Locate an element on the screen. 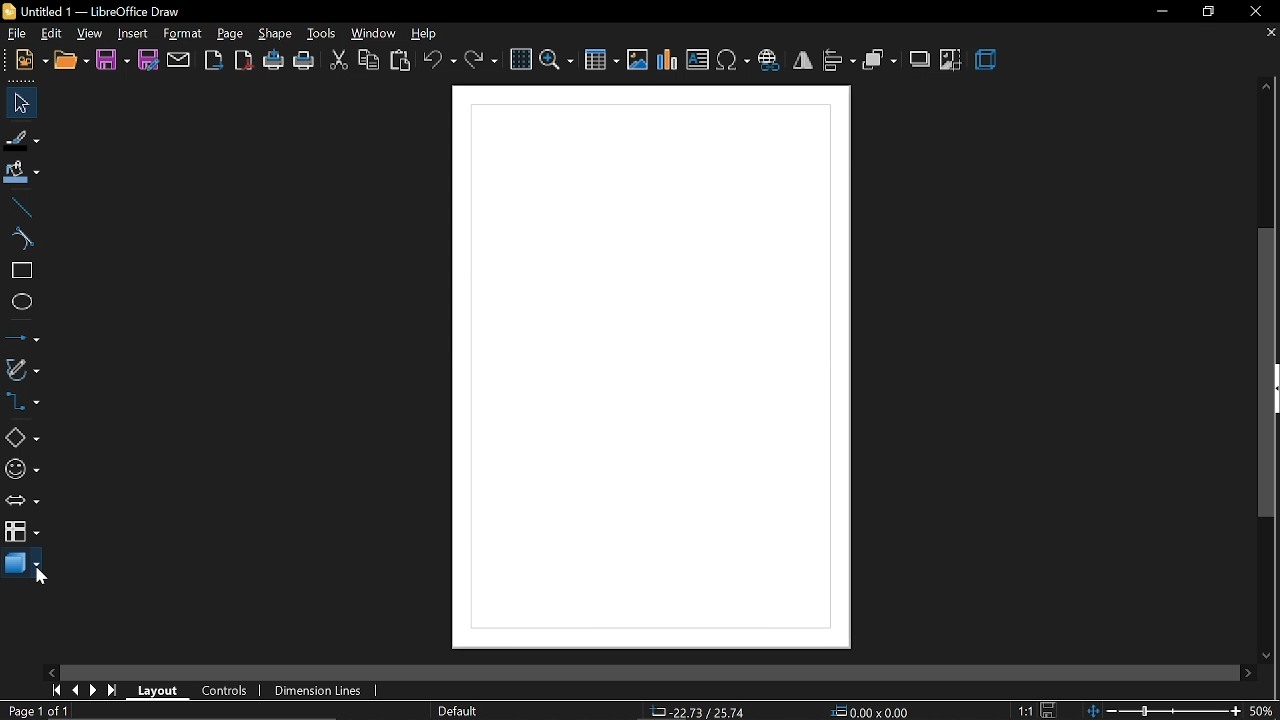  dimension lines is located at coordinates (319, 691).